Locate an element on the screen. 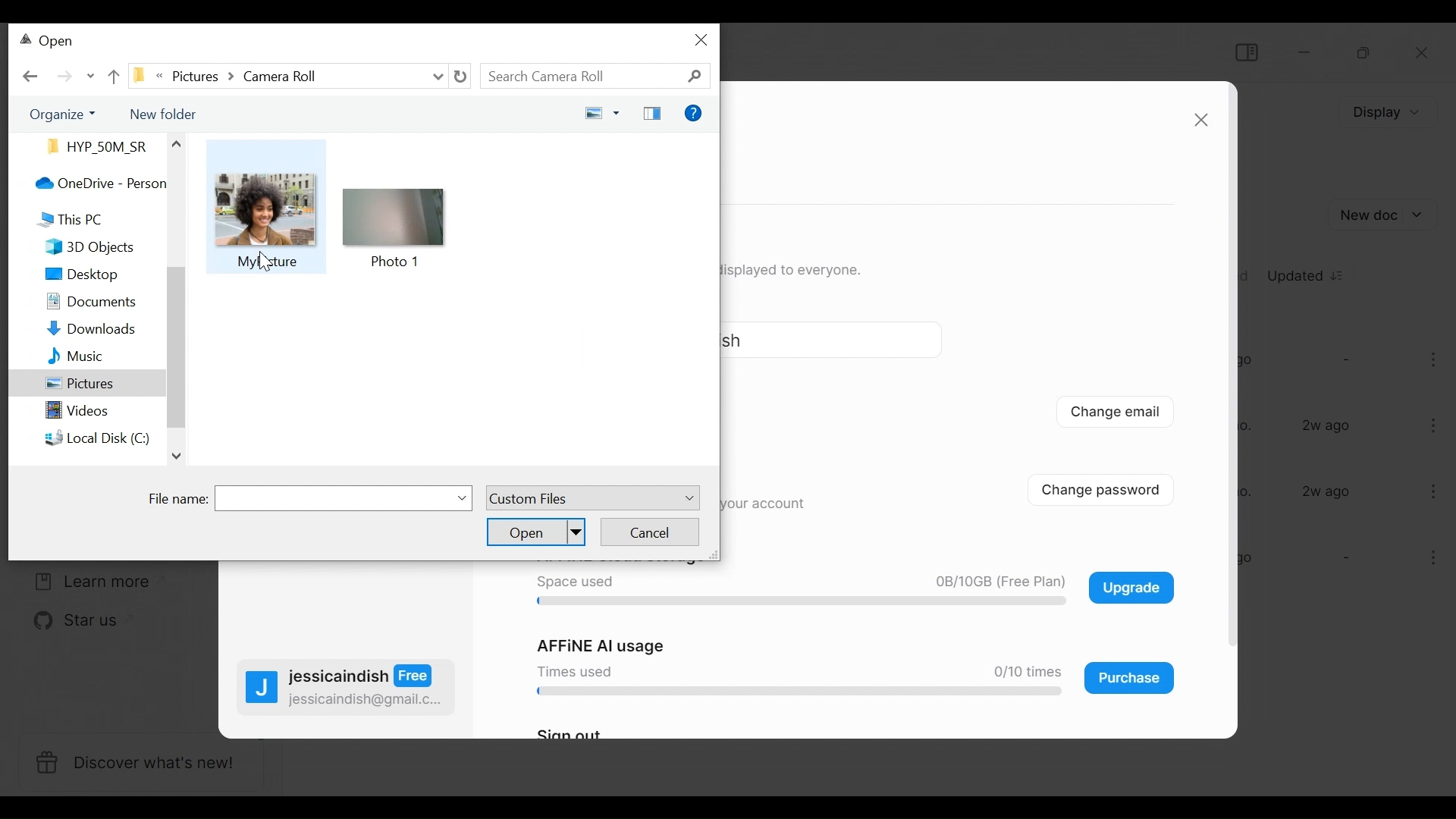  This PC is located at coordinates (69, 218).